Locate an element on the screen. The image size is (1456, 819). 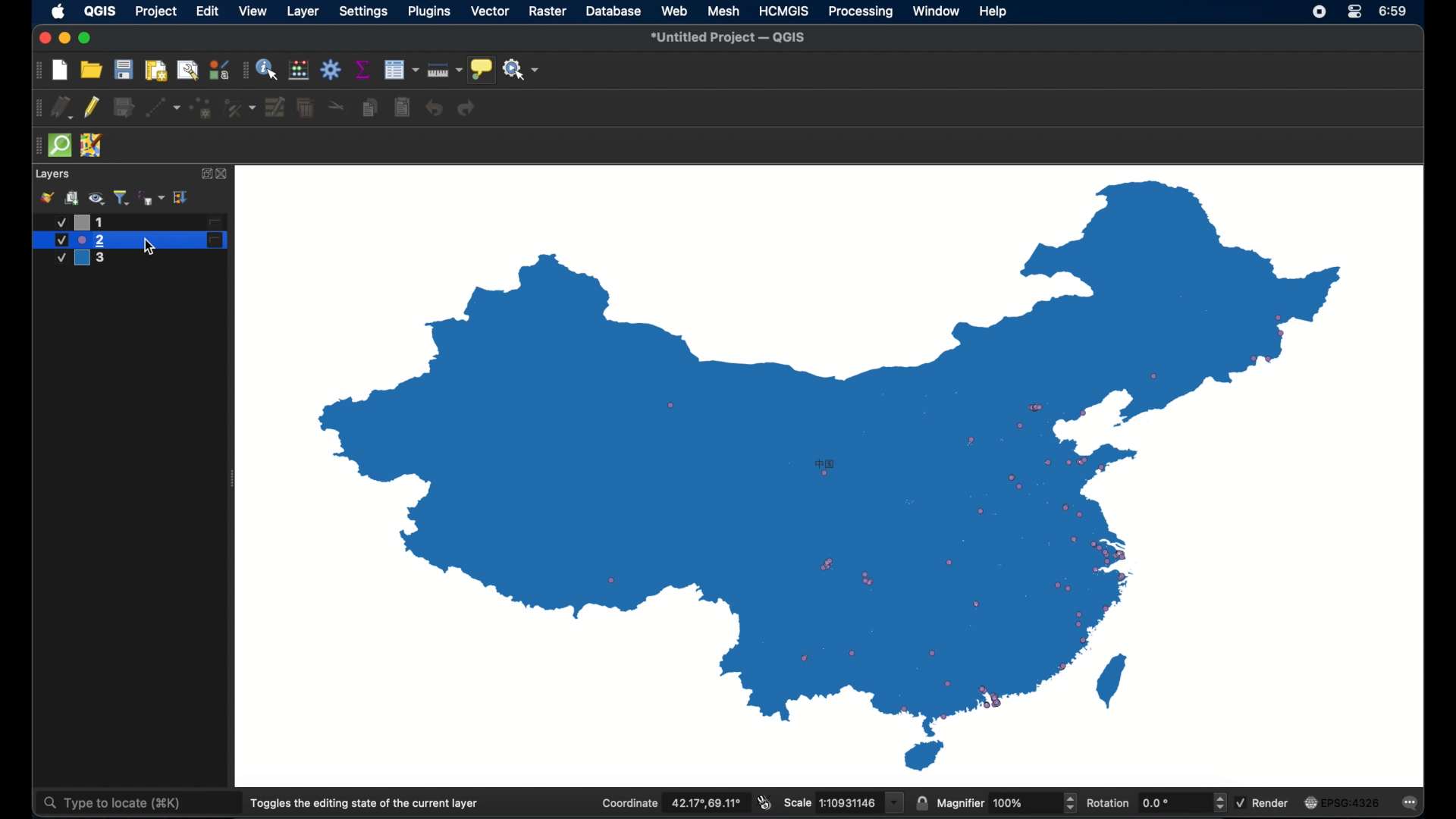
open field calculator is located at coordinates (300, 69).